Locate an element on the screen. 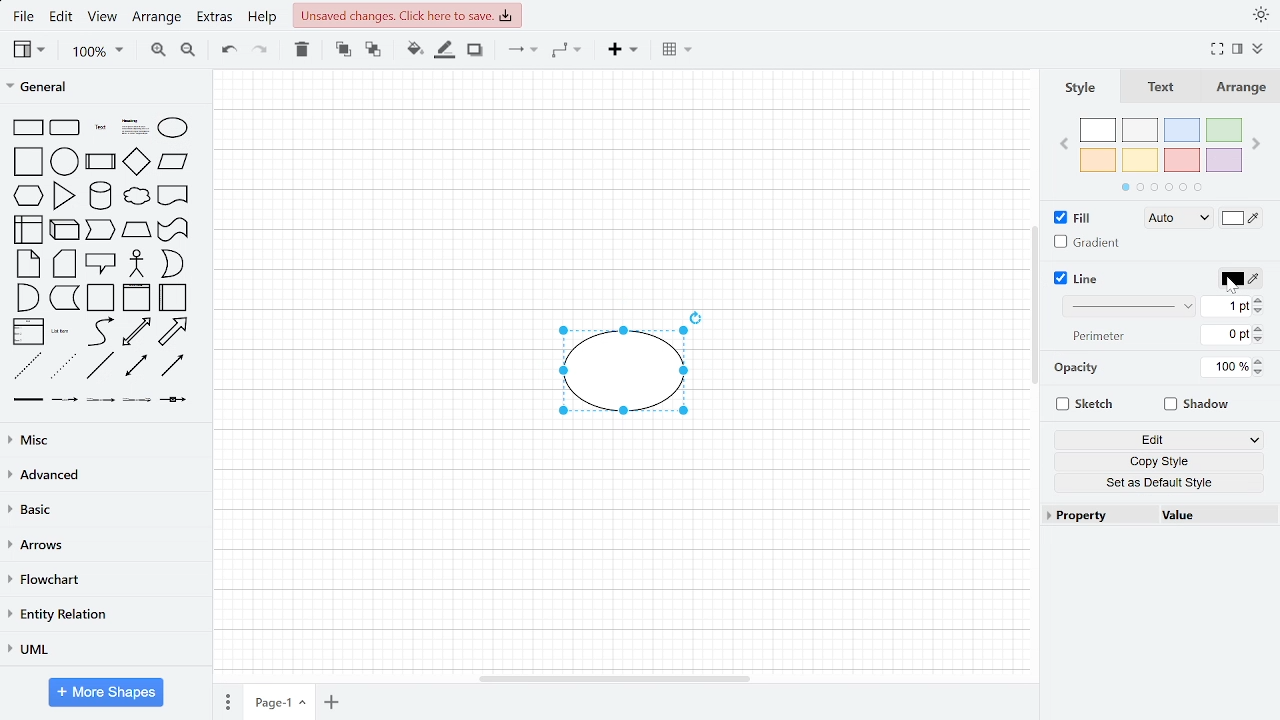 This screenshot has height=720, width=1280. Fullscreen is located at coordinates (1217, 49).